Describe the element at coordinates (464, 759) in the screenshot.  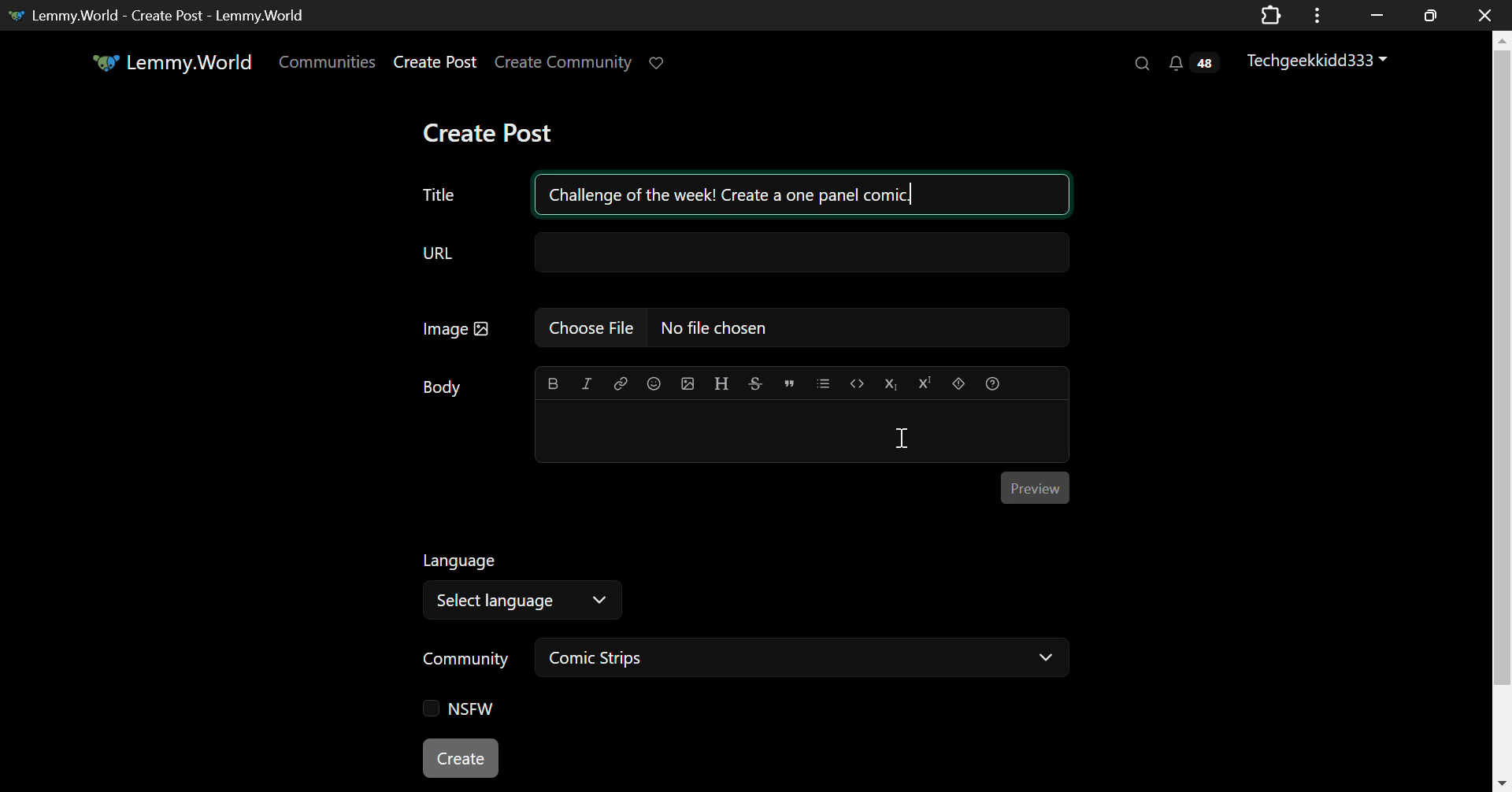
I see `Create` at that location.